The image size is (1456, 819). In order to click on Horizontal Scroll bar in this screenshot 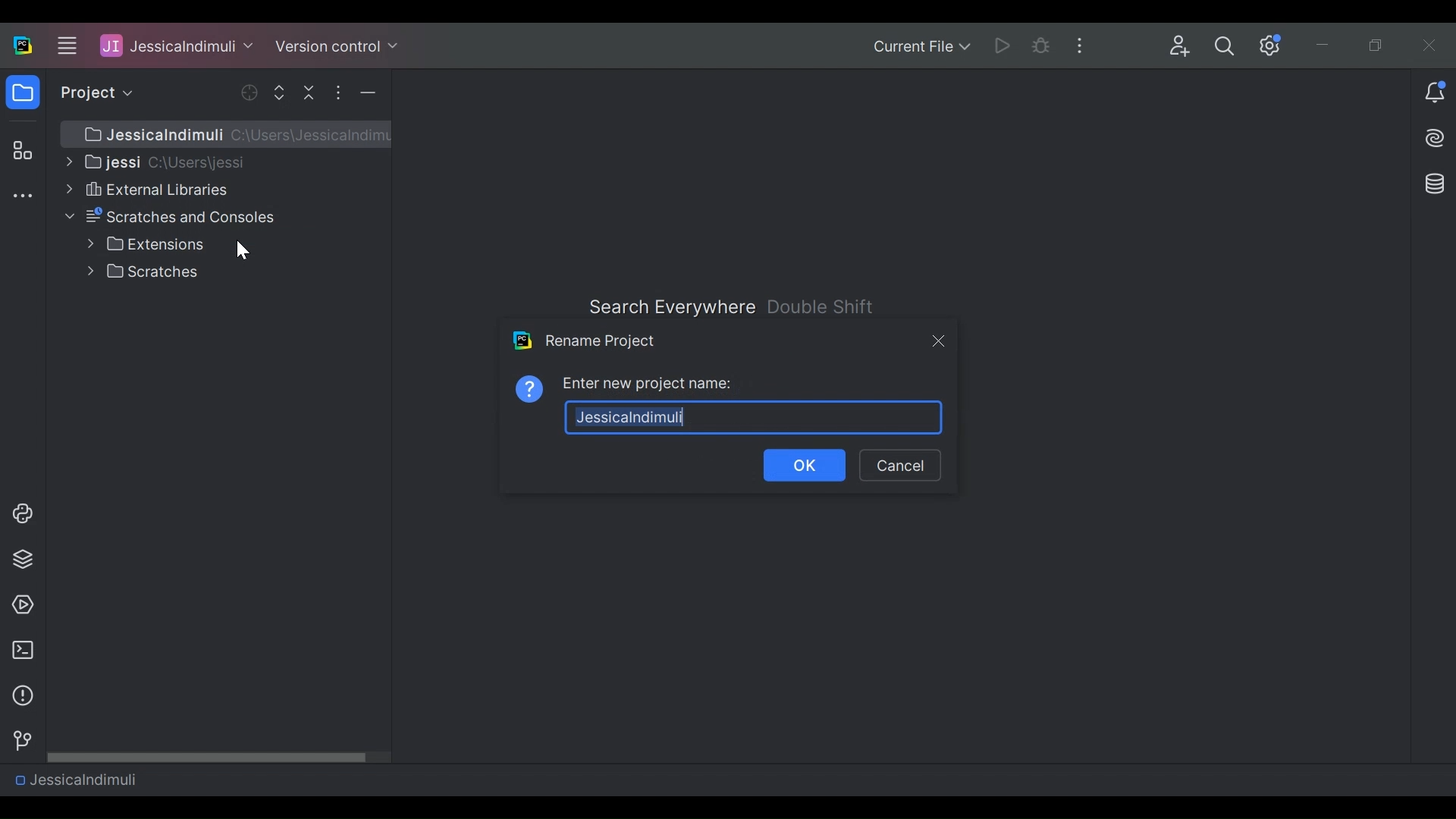, I will do `click(219, 756)`.